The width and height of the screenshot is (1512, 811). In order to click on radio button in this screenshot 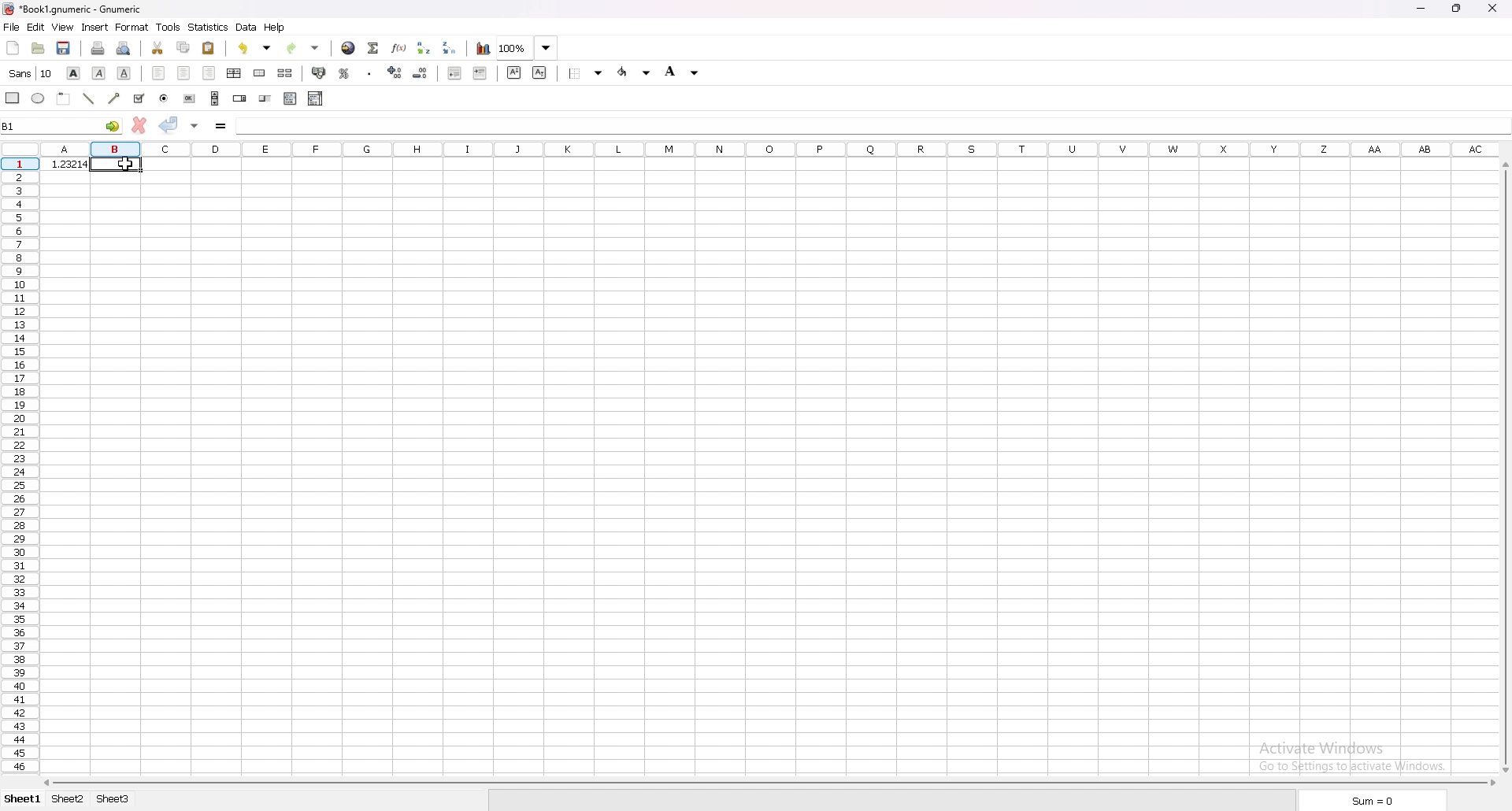, I will do `click(165, 98)`.